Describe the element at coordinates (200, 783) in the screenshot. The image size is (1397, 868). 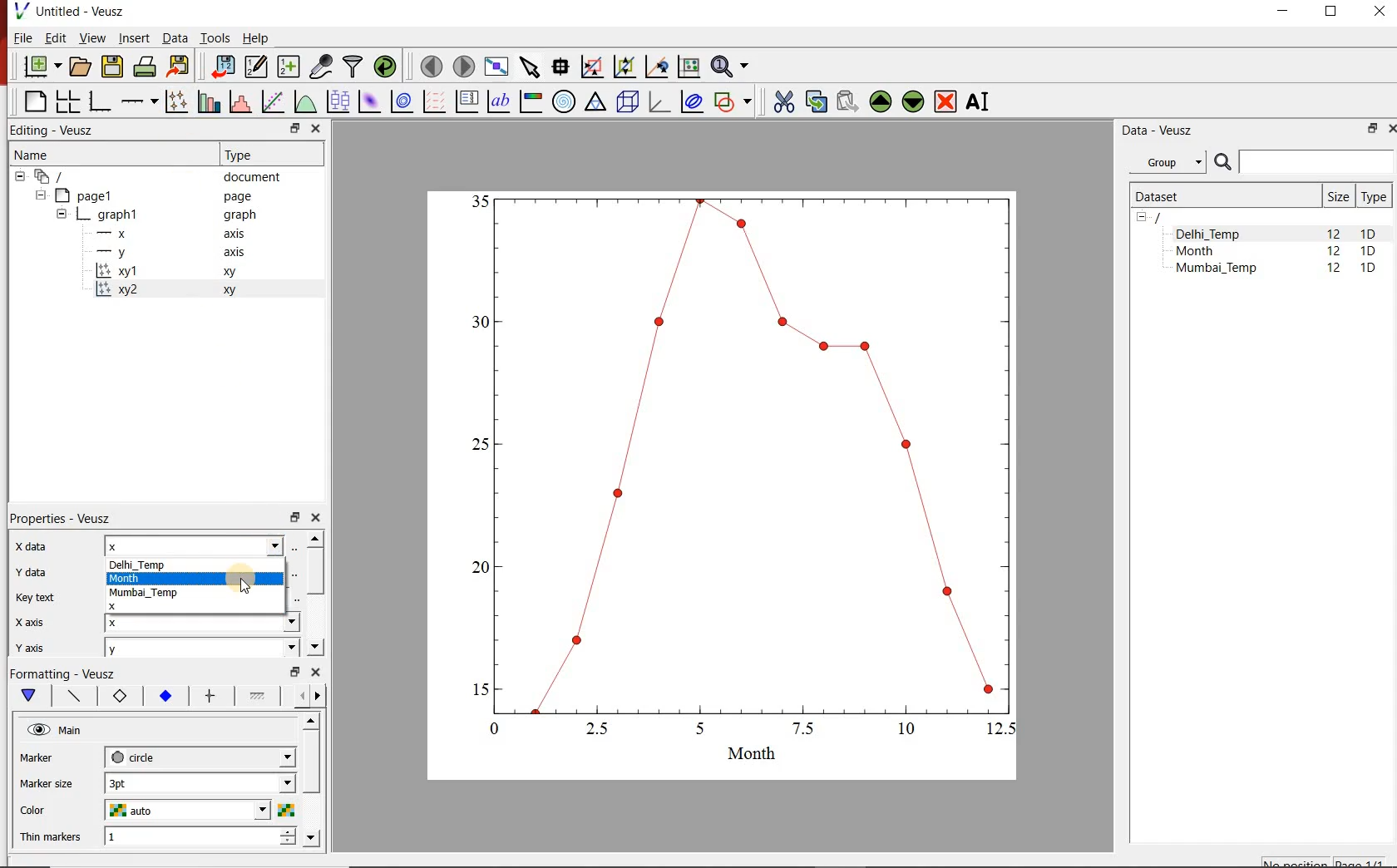
I see `3pt` at that location.